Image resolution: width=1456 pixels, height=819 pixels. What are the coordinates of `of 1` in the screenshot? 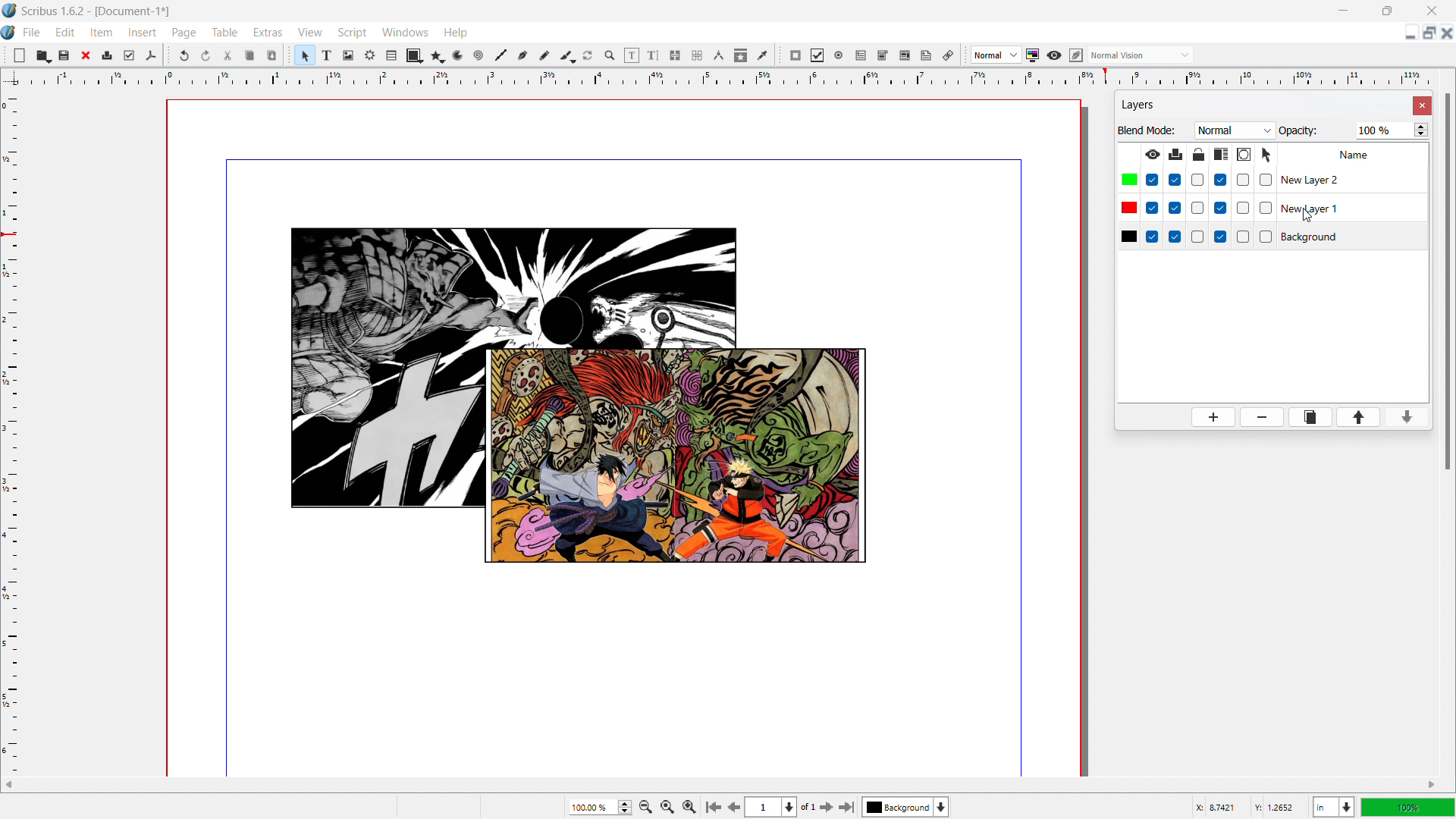 It's located at (808, 808).